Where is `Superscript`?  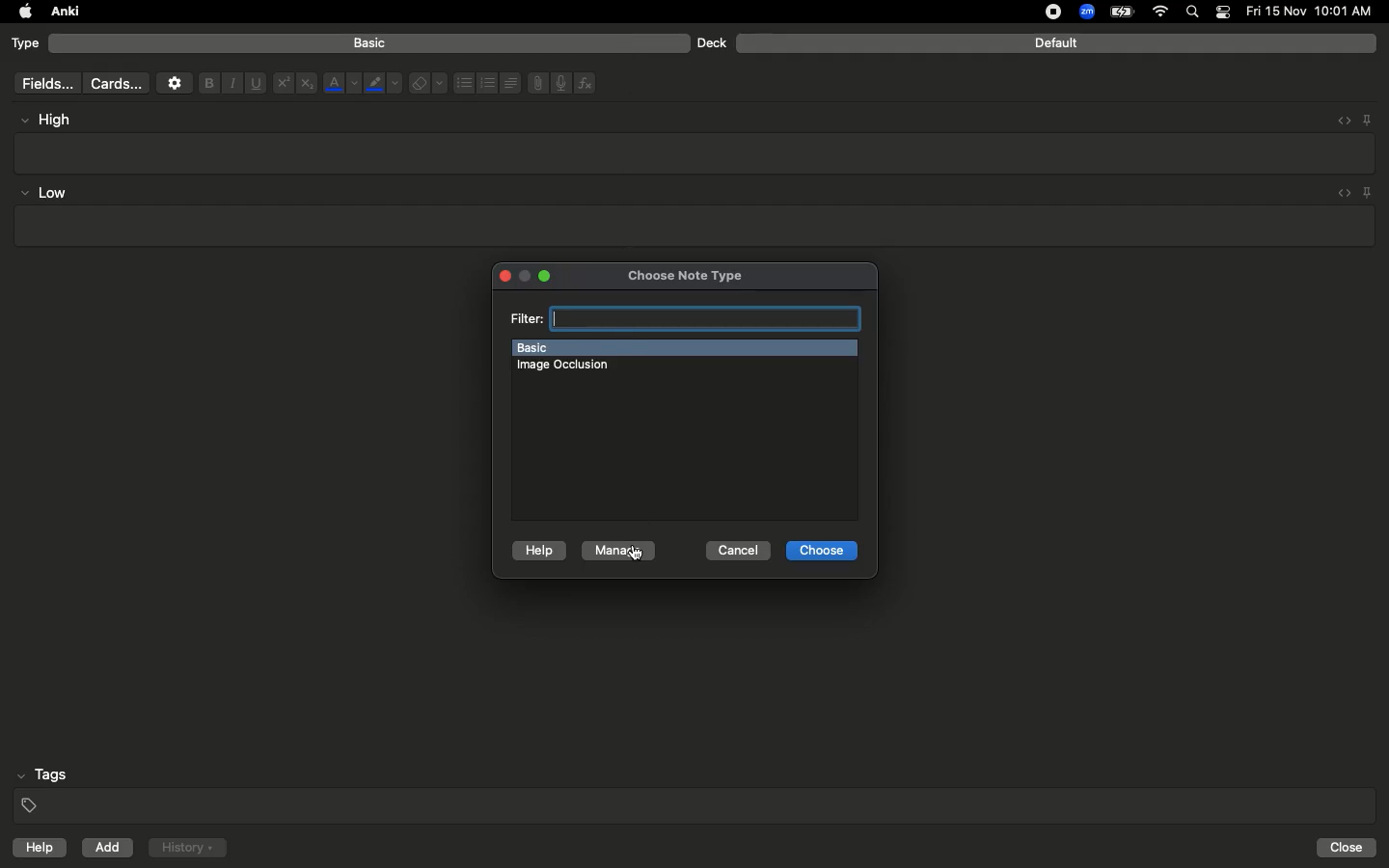
Superscript is located at coordinates (282, 84).